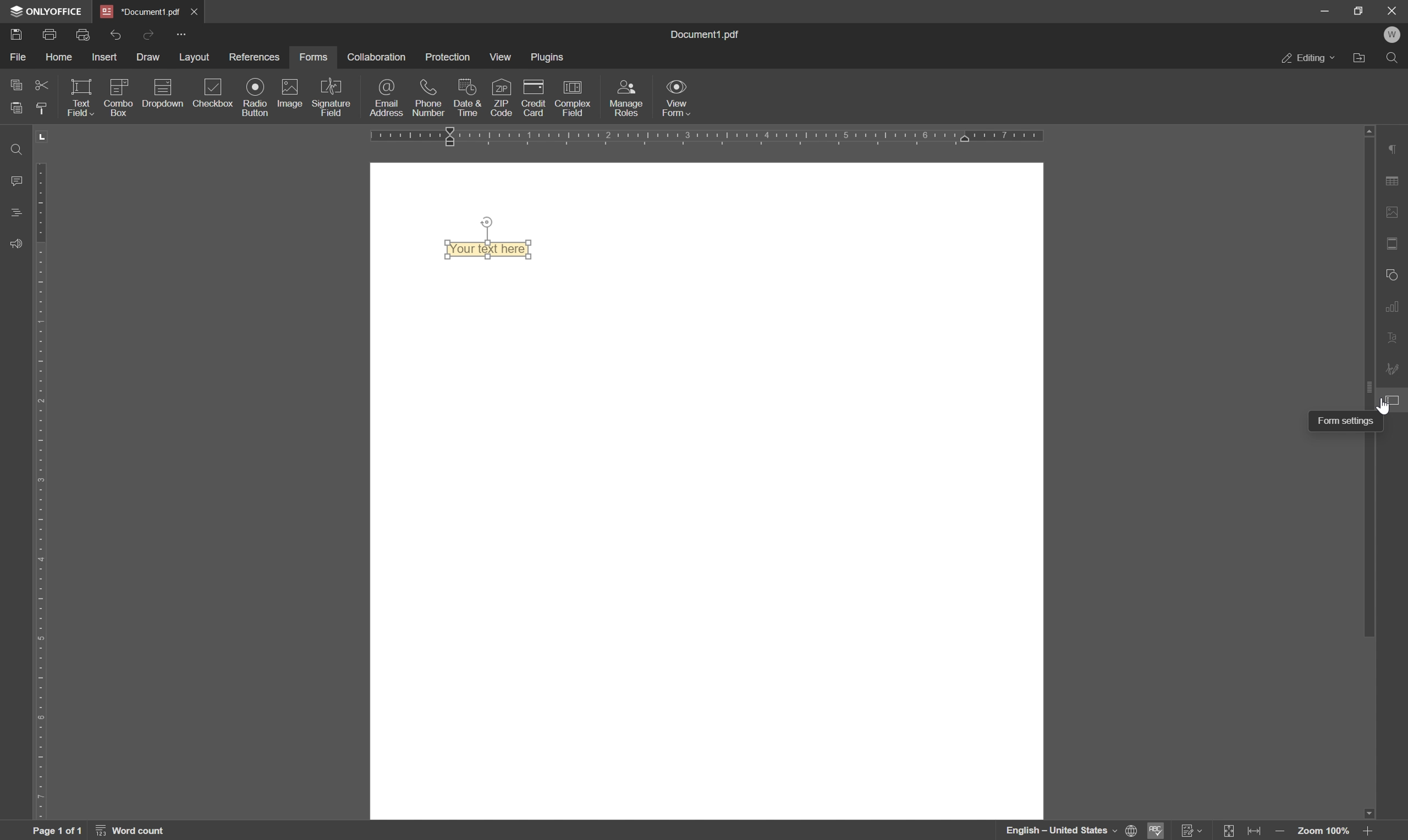  Describe the element at coordinates (549, 58) in the screenshot. I see `plugins` at that location.